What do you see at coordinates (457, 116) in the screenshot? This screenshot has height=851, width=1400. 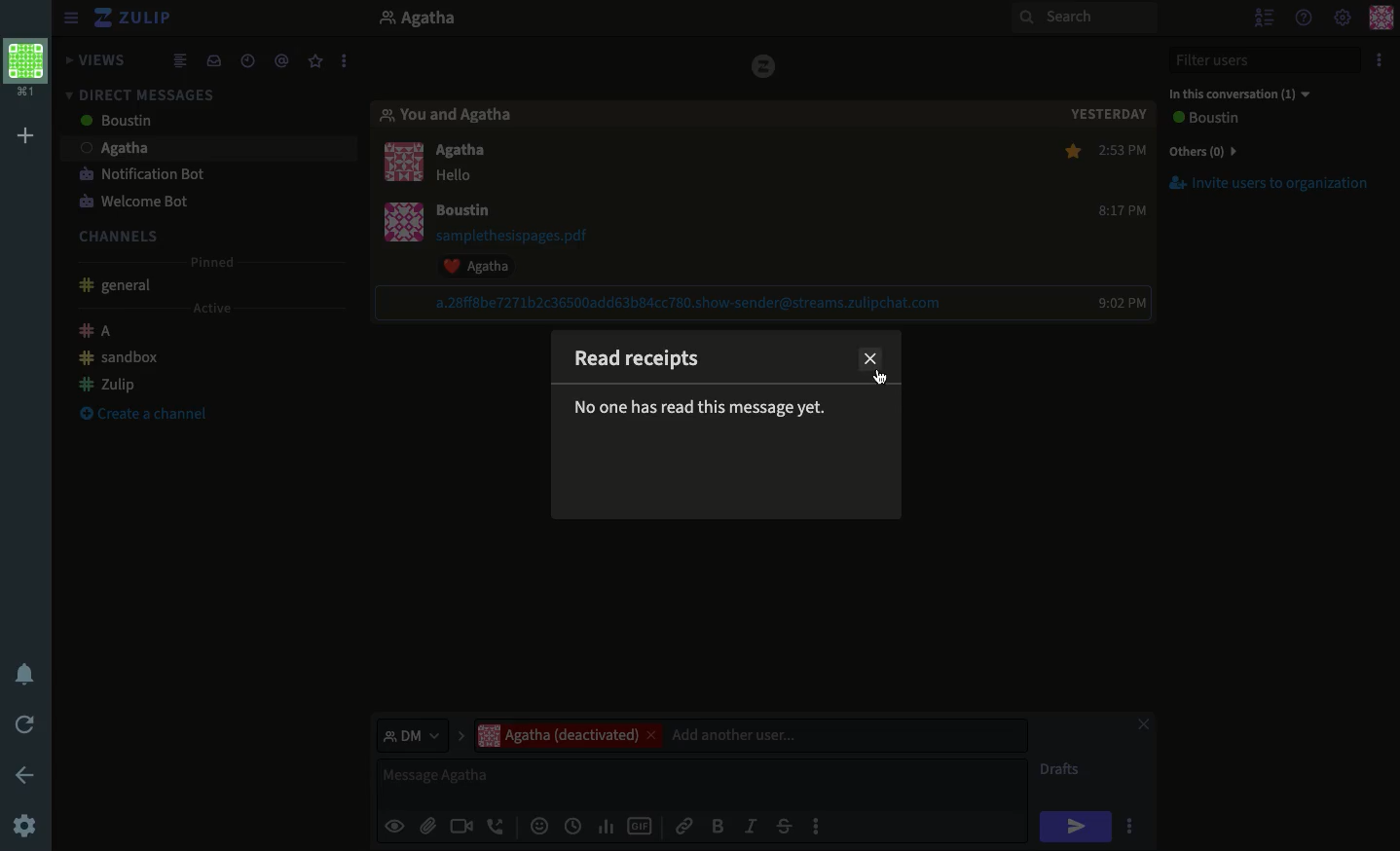 I see `You and user` at bounding box center [457, 116].